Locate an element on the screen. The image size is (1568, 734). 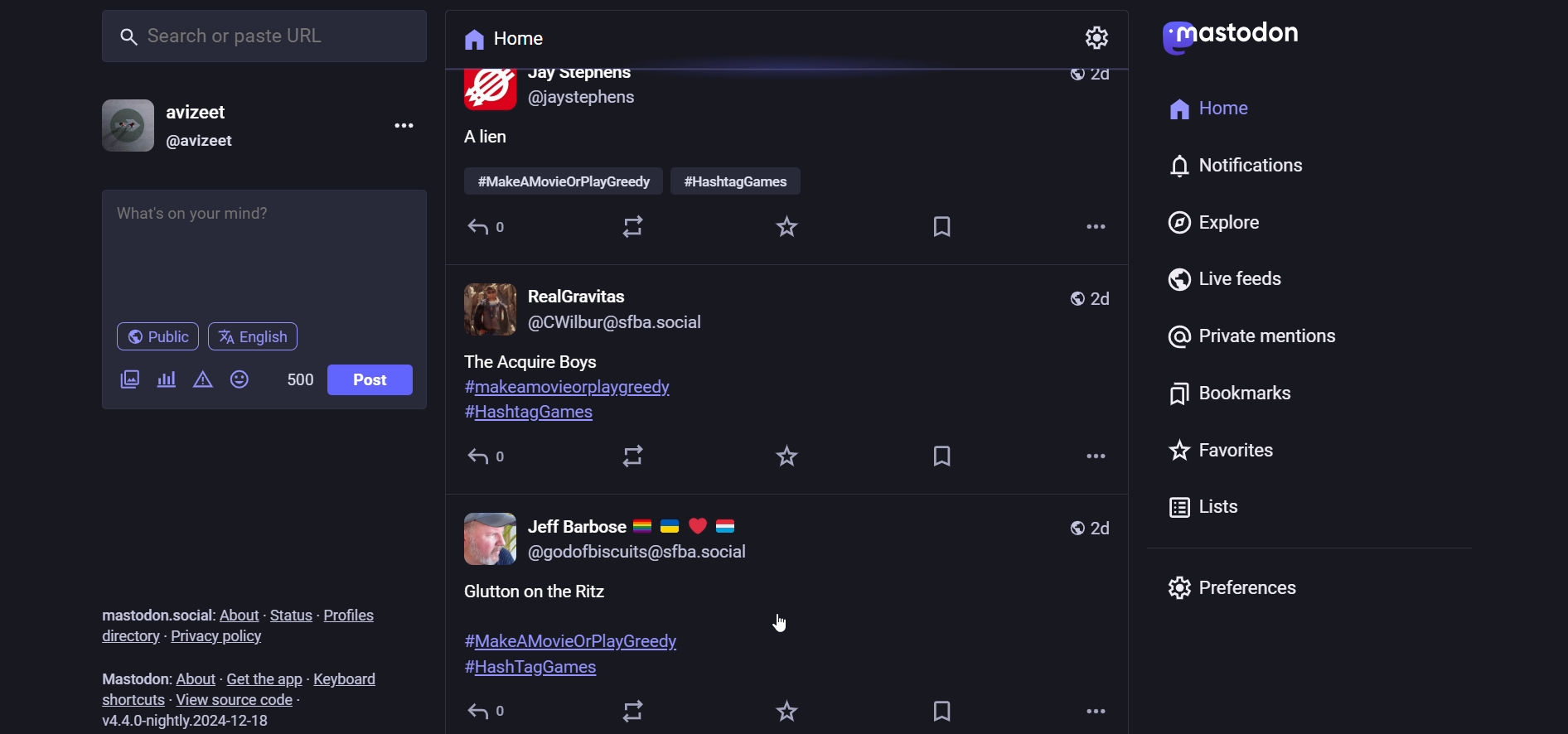
notification is located at coordinates (1225, 163).